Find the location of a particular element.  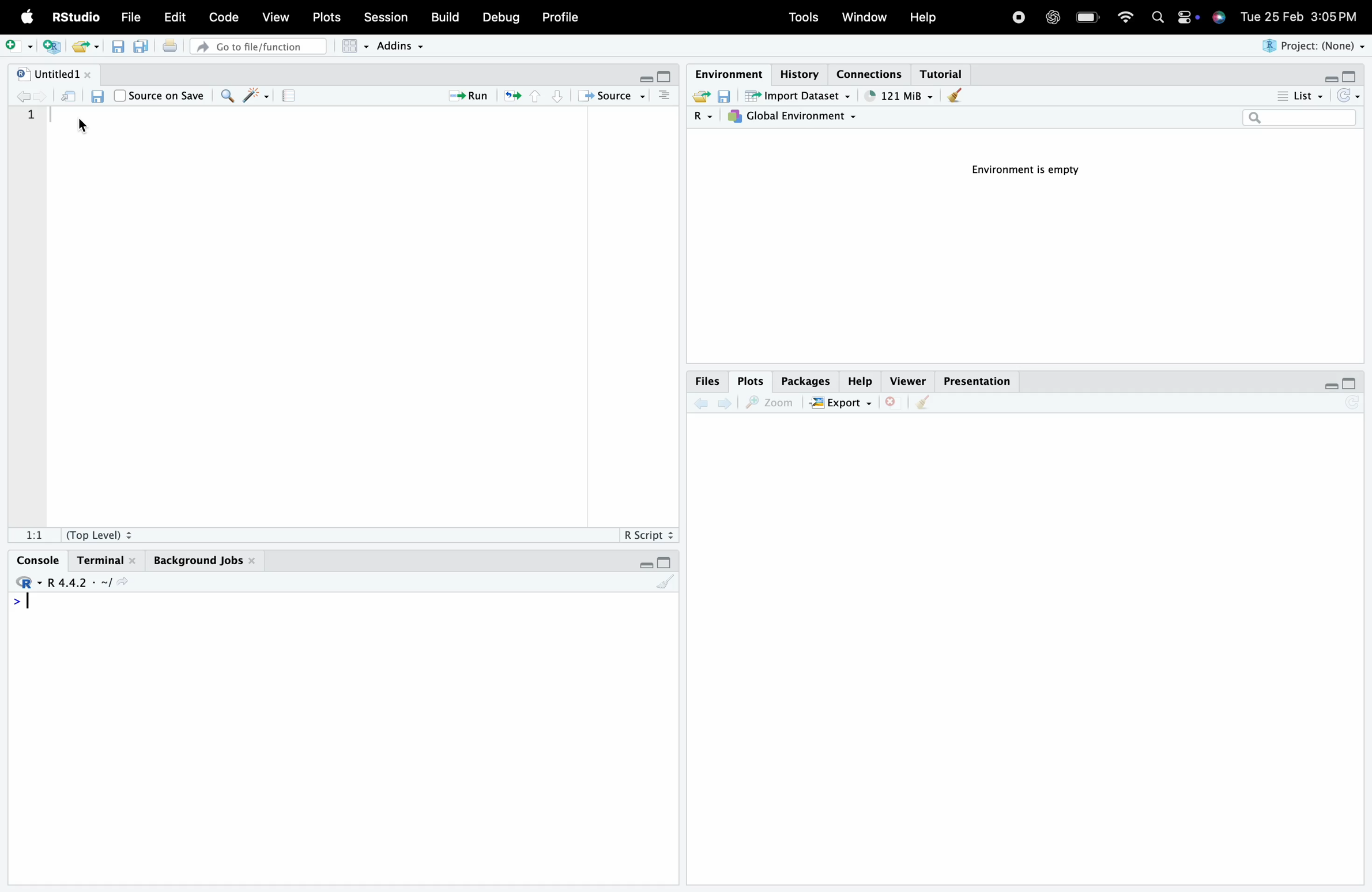

Maximize/Restore is located at coordinates (1352, 385).